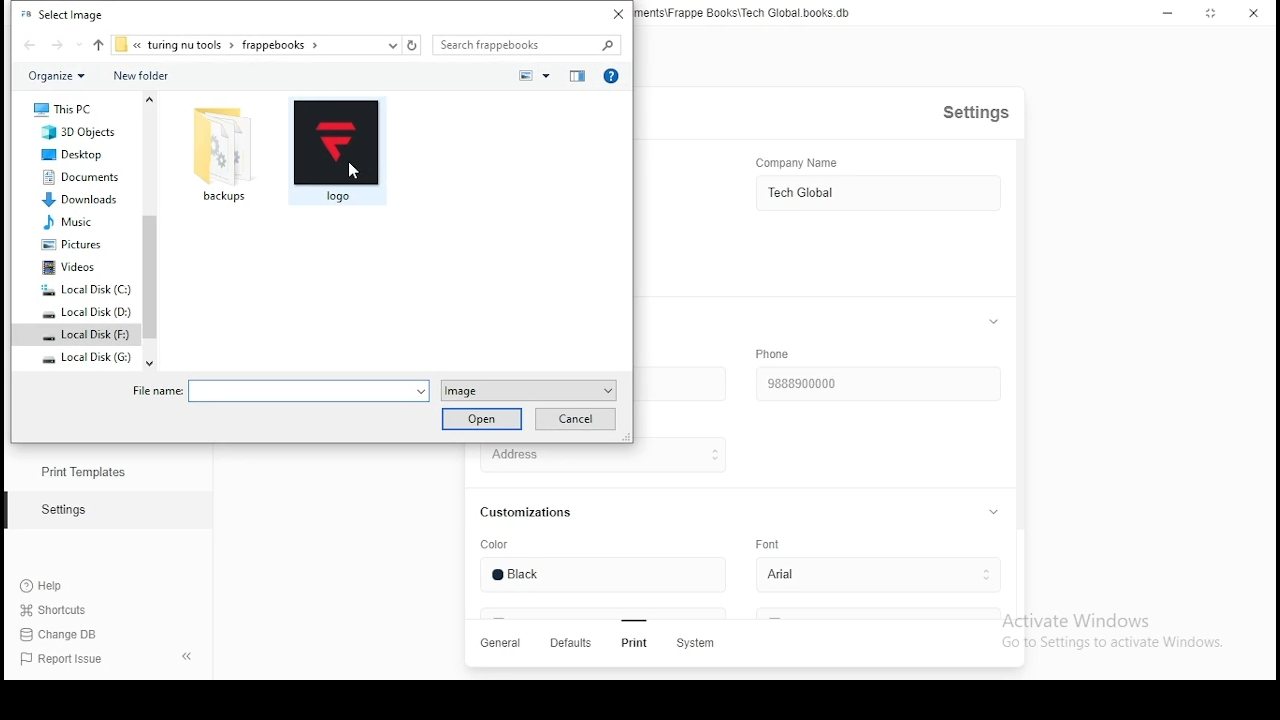 This screenshot has height=720, width=1280. What do you see at coordinates (88, 336) in the screenshot?
I see `Local Disk(F:)` at bounding box center [88, 336].